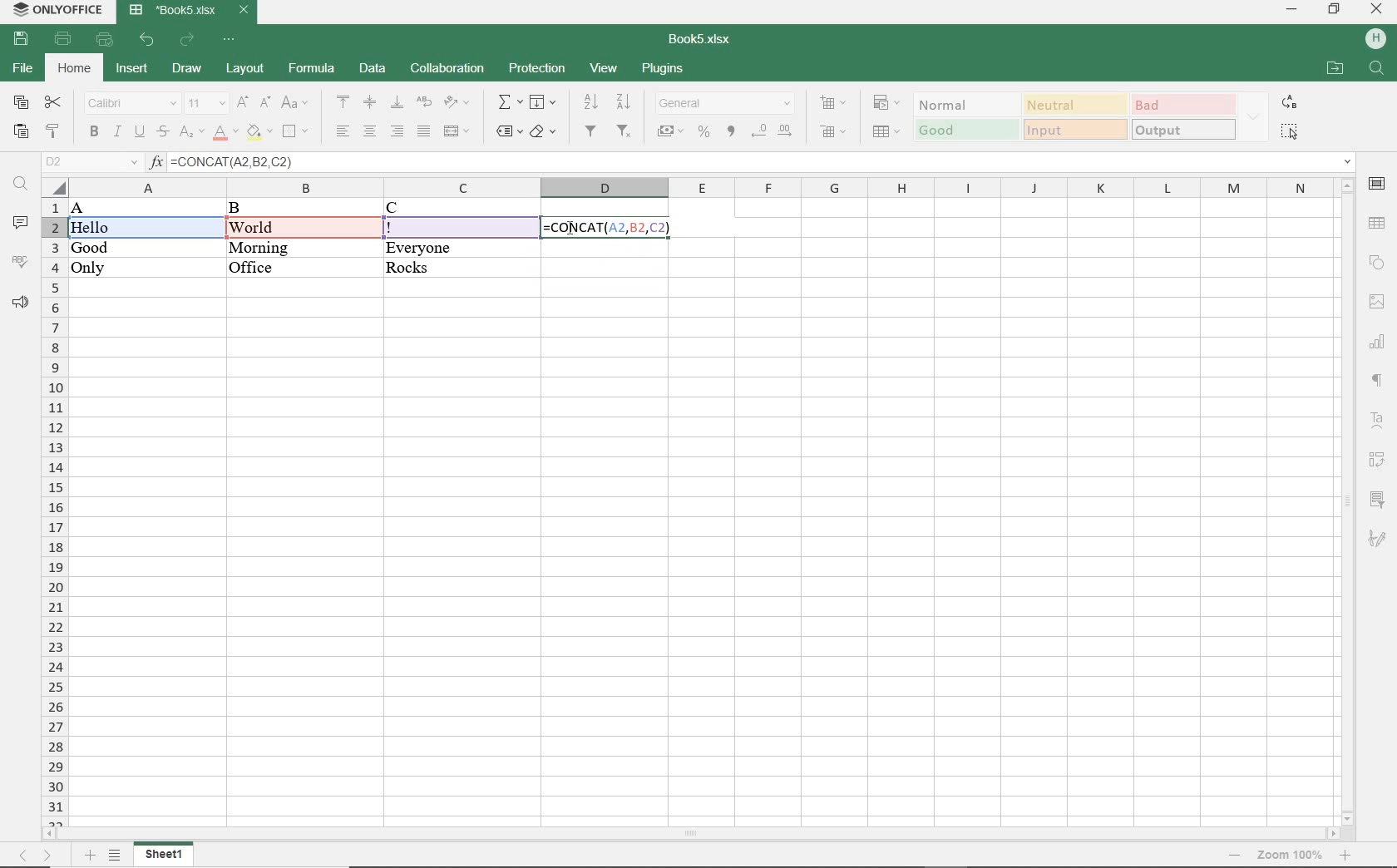  Describe the element at coordinates (1375, 260) in the screenshot. I see `SHAPE` at that location.